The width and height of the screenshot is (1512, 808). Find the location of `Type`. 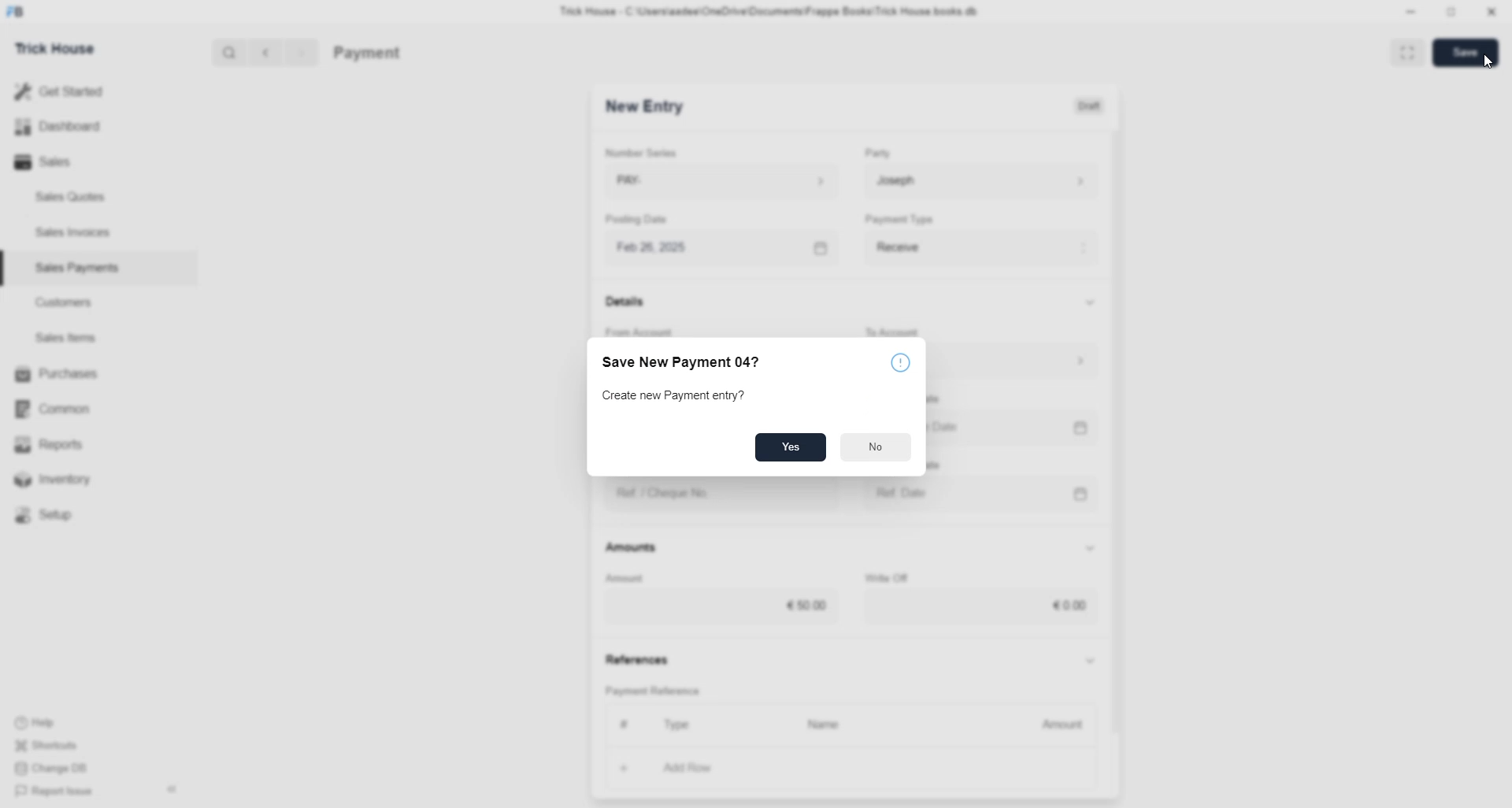

Type is located at coordinates (677, 725).